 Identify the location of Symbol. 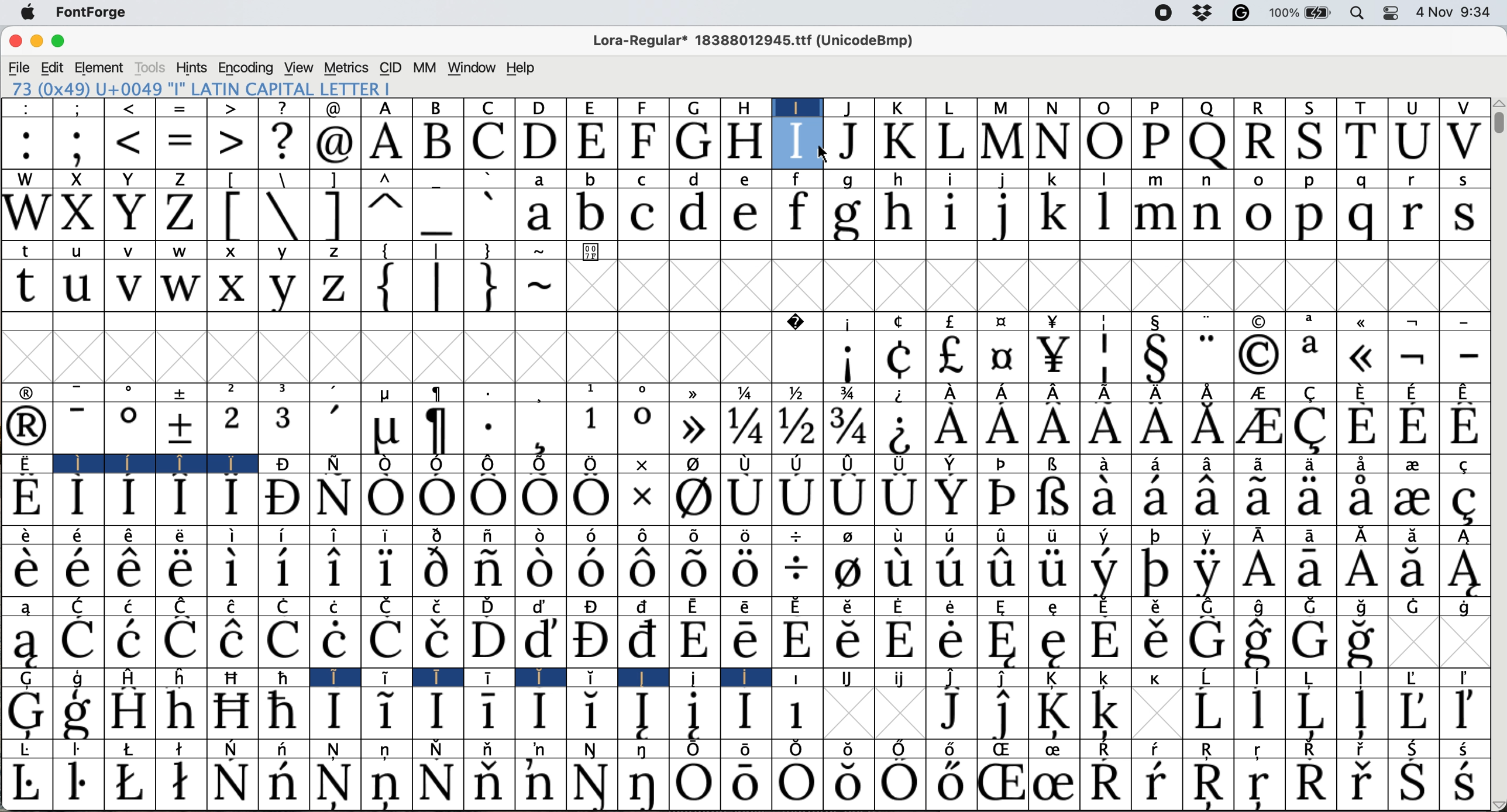
(1156, 465).